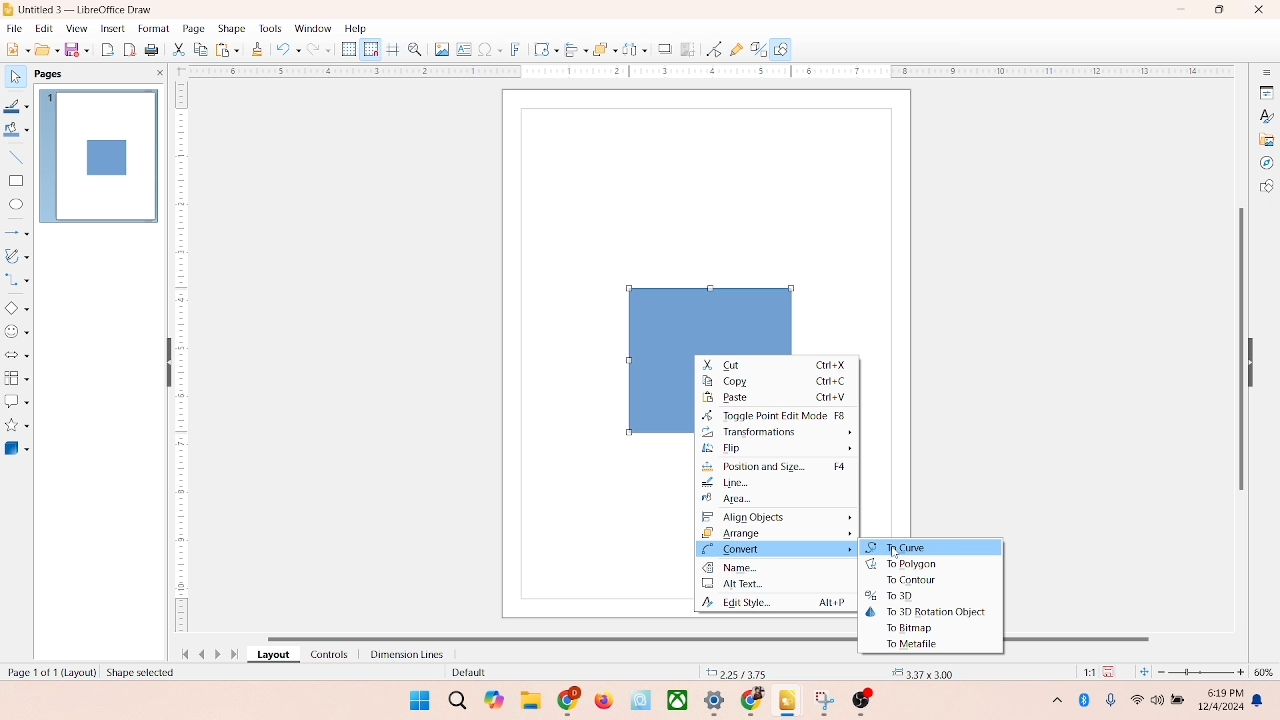 The image size is (1280, 720). Describe the element at coordinates (181, 652) in the screenshot. I see `first page` at that location.